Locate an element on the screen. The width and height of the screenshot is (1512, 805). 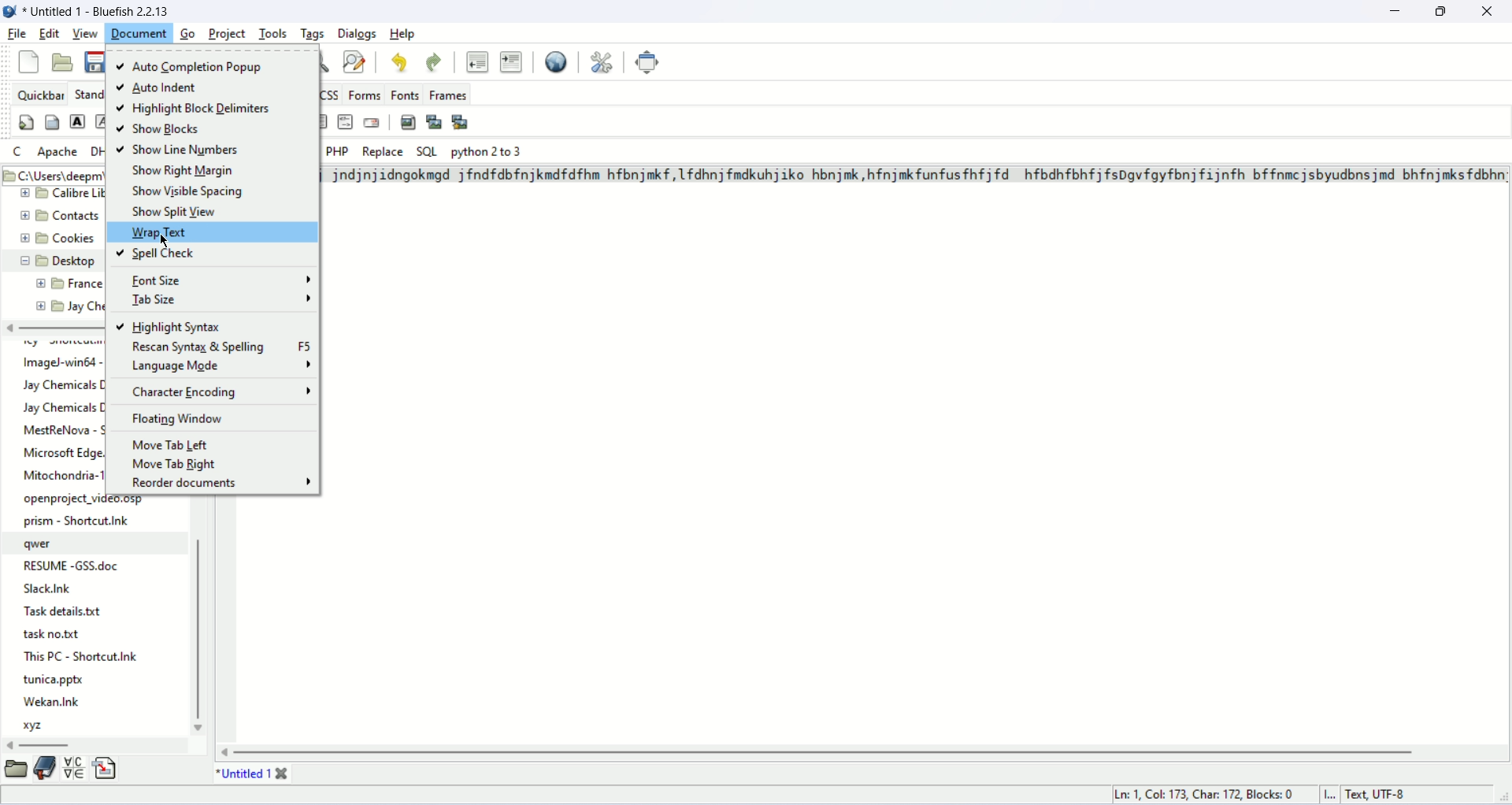
minimize is located at coordinates (1395, 11).